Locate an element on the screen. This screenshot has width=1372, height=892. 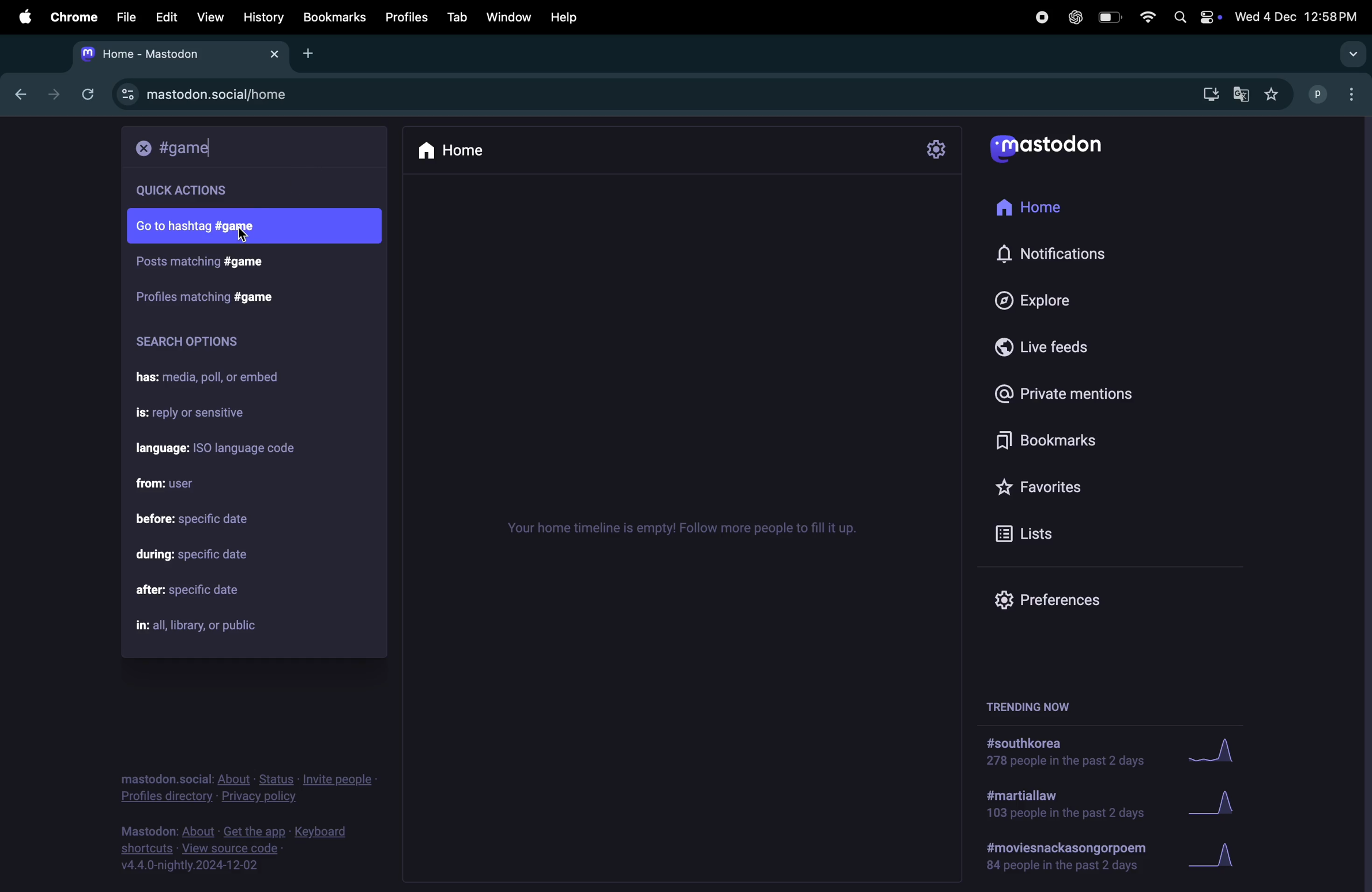
Bookmarks is located at coordinates (1083, 442).